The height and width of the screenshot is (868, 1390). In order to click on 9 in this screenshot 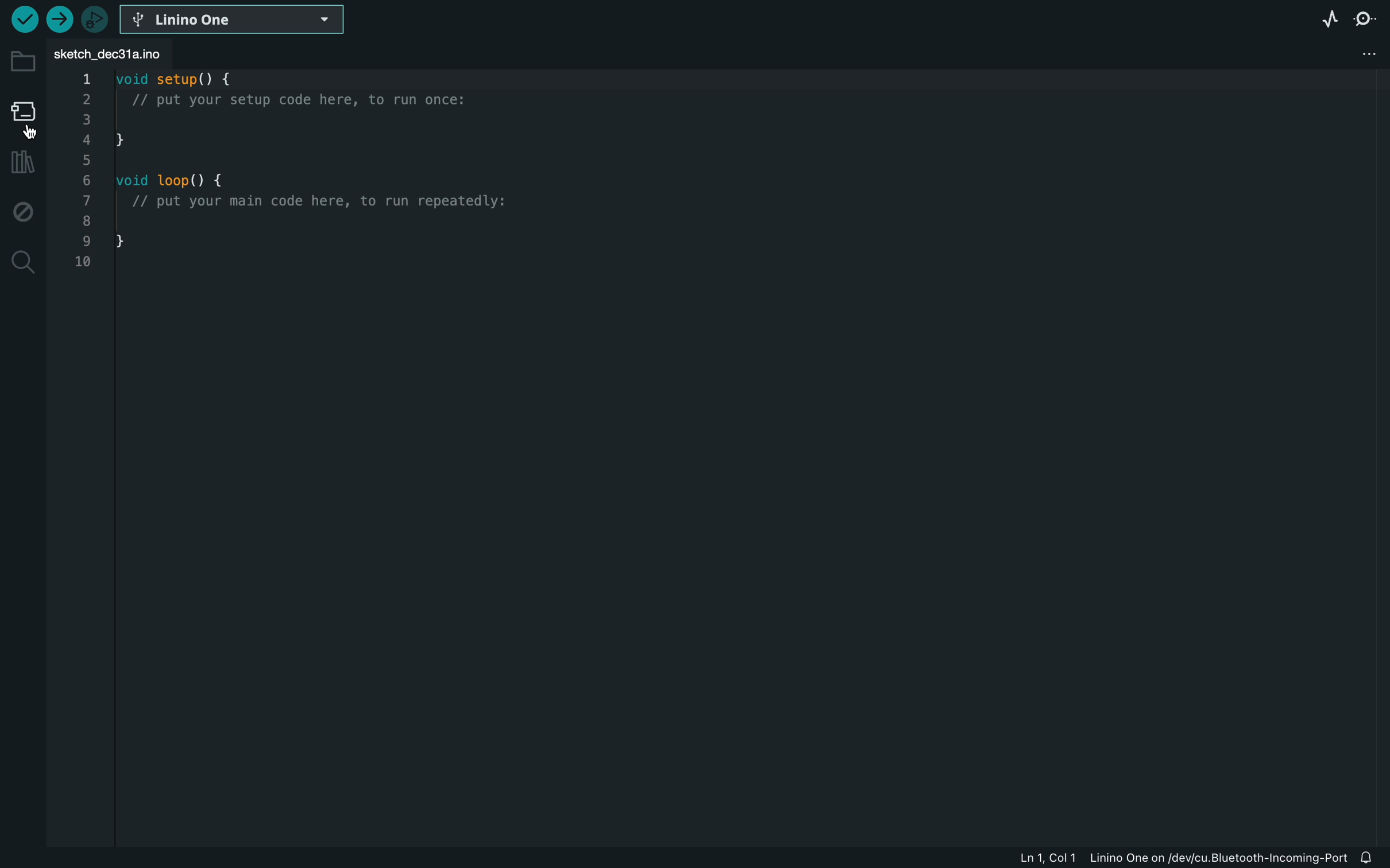, I will do `click(87, 241)`.